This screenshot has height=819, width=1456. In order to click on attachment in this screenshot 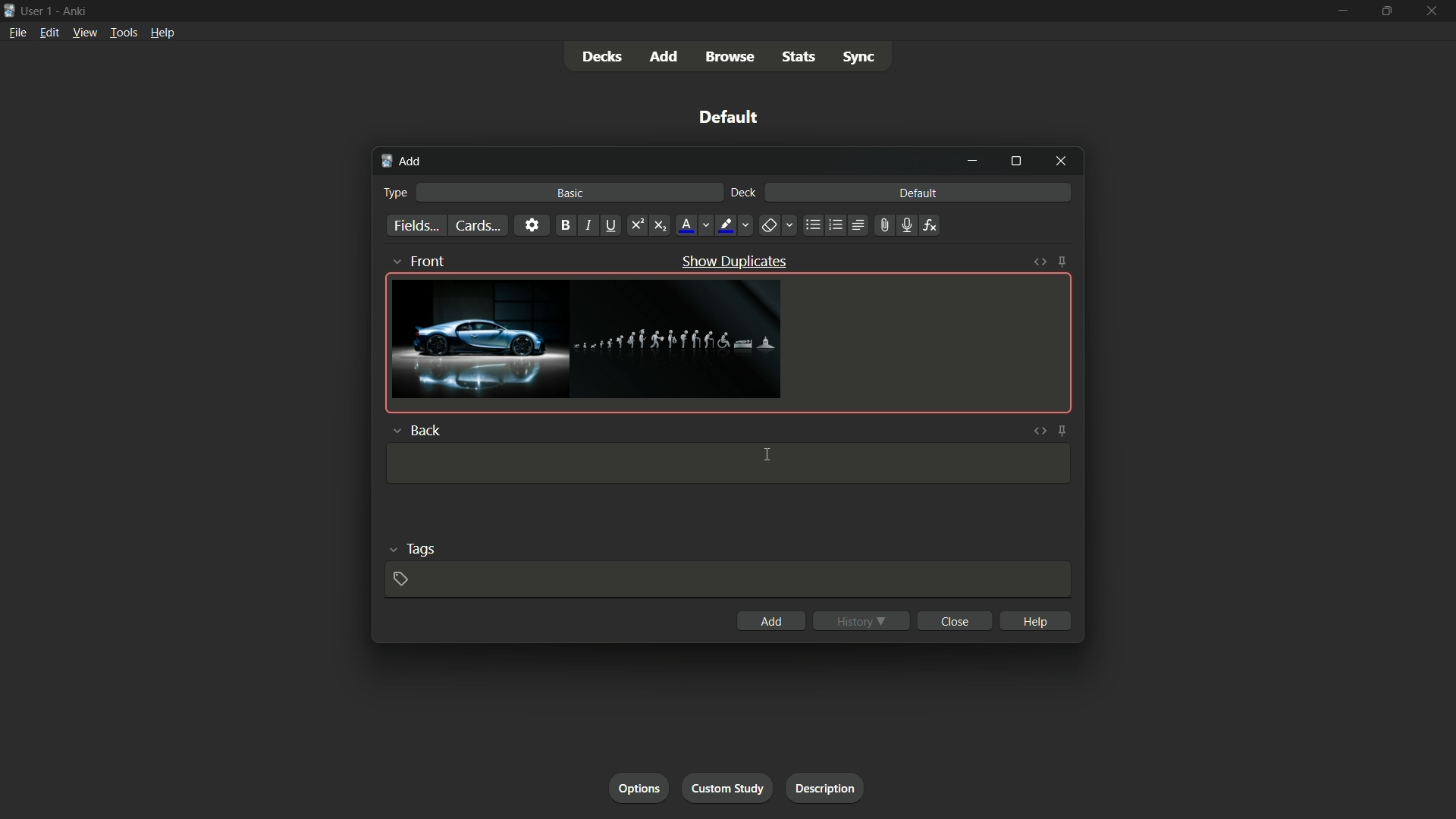, I will do `click(885, 224)`.